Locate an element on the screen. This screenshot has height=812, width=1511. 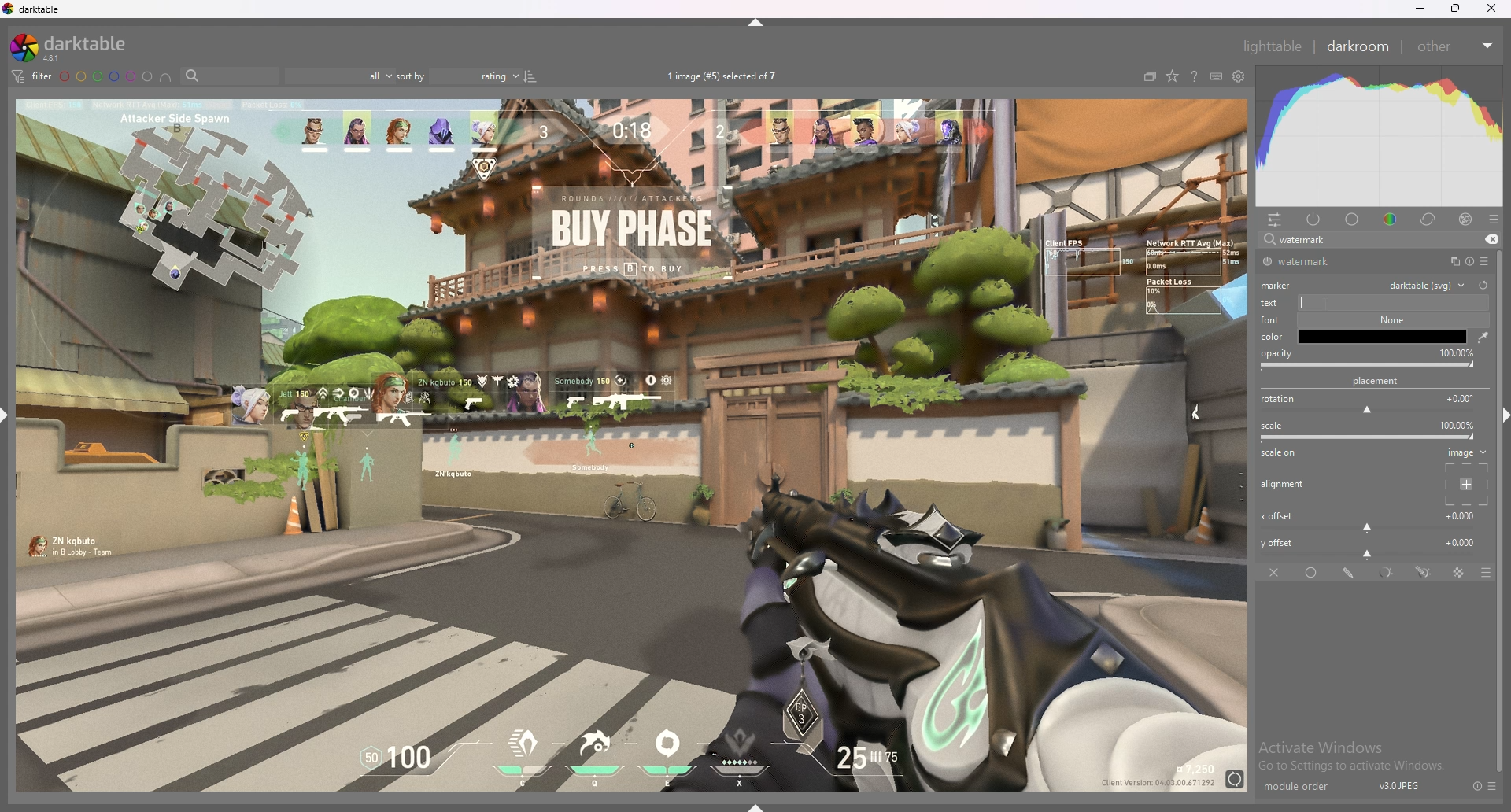
resize is located at coordinates (1456, 9).